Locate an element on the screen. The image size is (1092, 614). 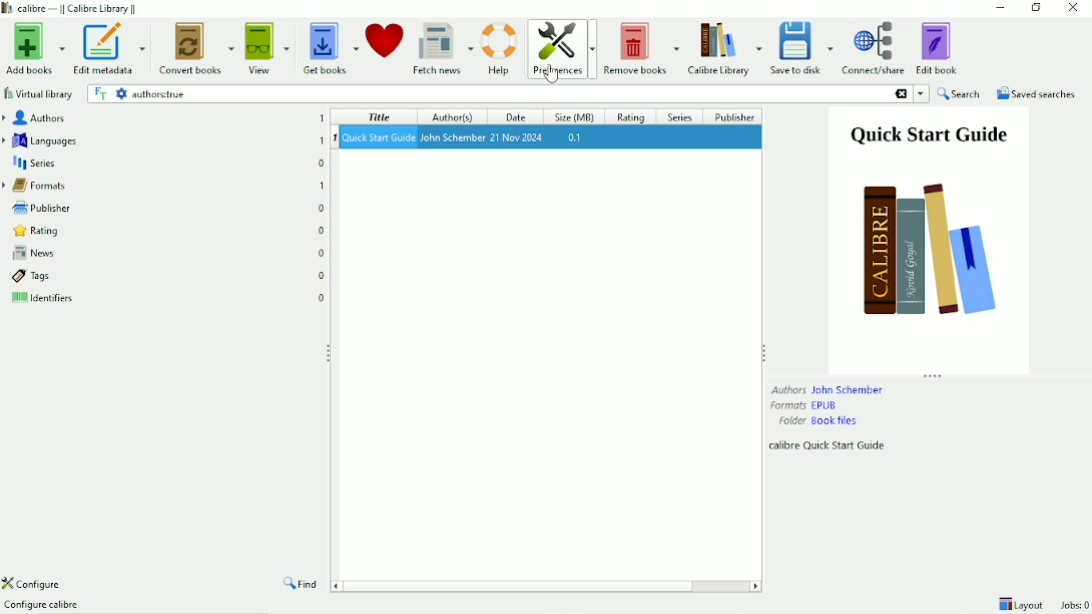
Formats is located at coordinates (165, 186).